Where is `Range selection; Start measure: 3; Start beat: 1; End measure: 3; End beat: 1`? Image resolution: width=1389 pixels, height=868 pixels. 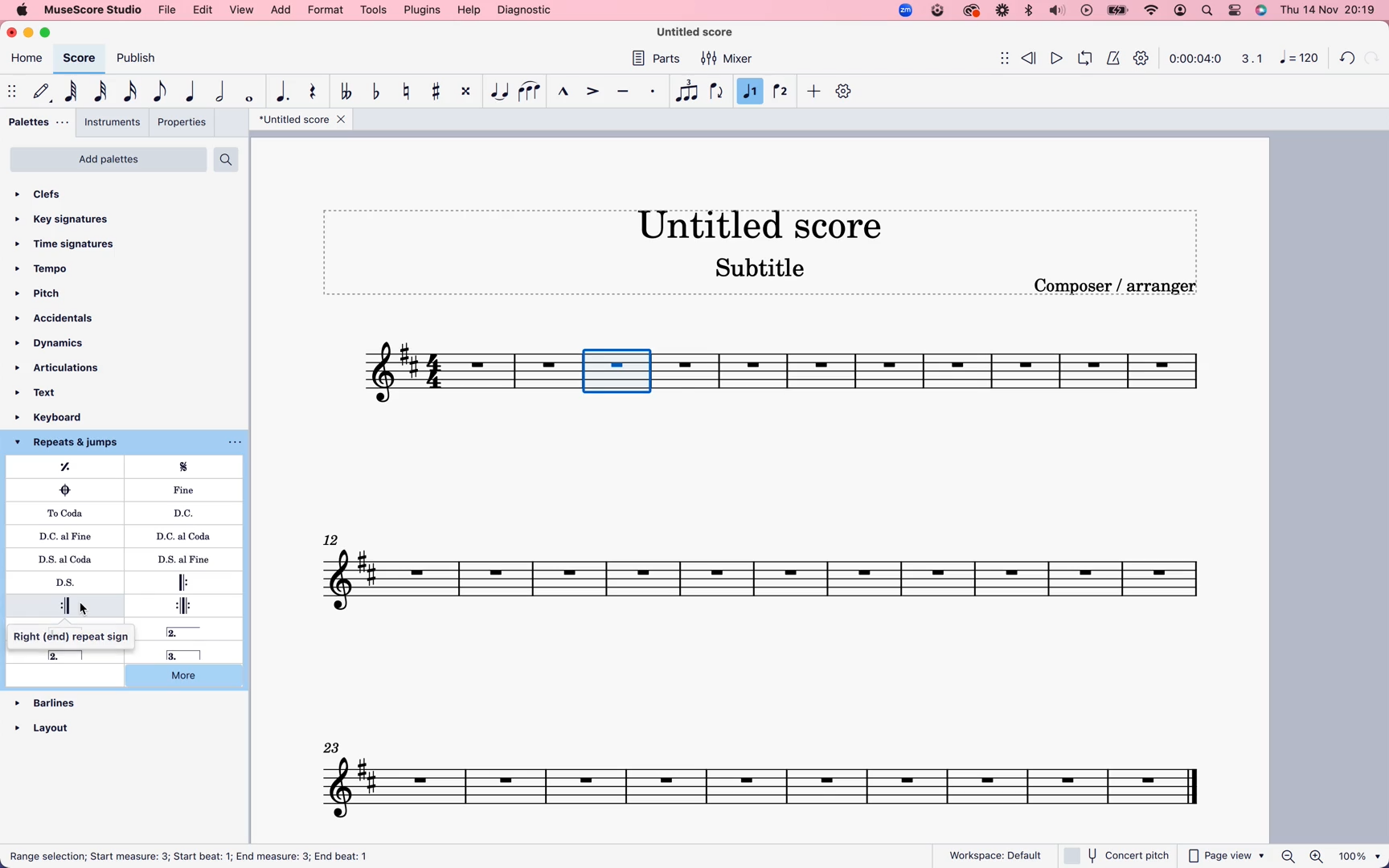
Range selection; Start measure: 3; Start beat: 1; End measure: 3; End beat: 1 is located at coordinates (200, 854).